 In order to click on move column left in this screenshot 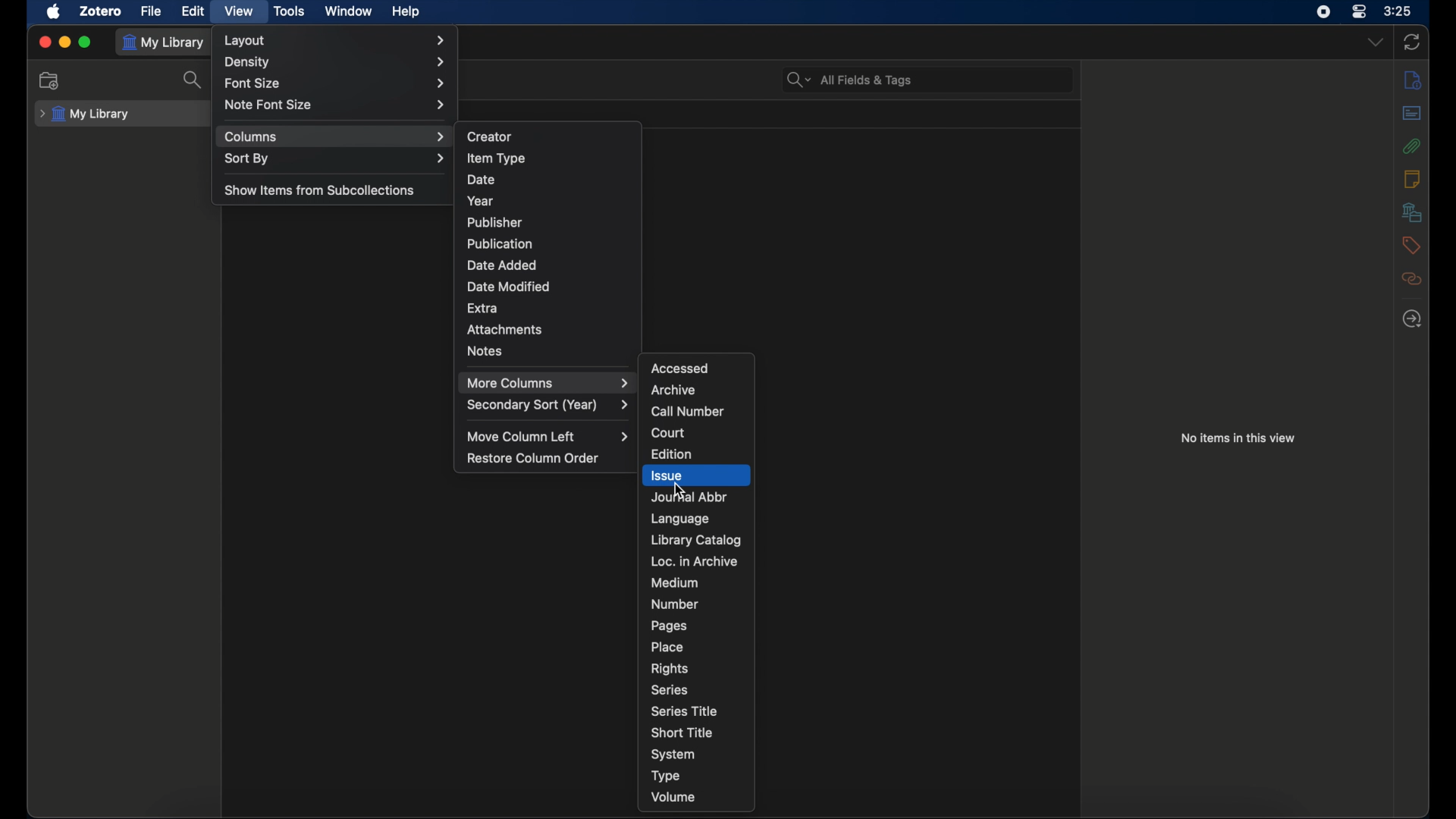, I will do `click(551, 437)`.